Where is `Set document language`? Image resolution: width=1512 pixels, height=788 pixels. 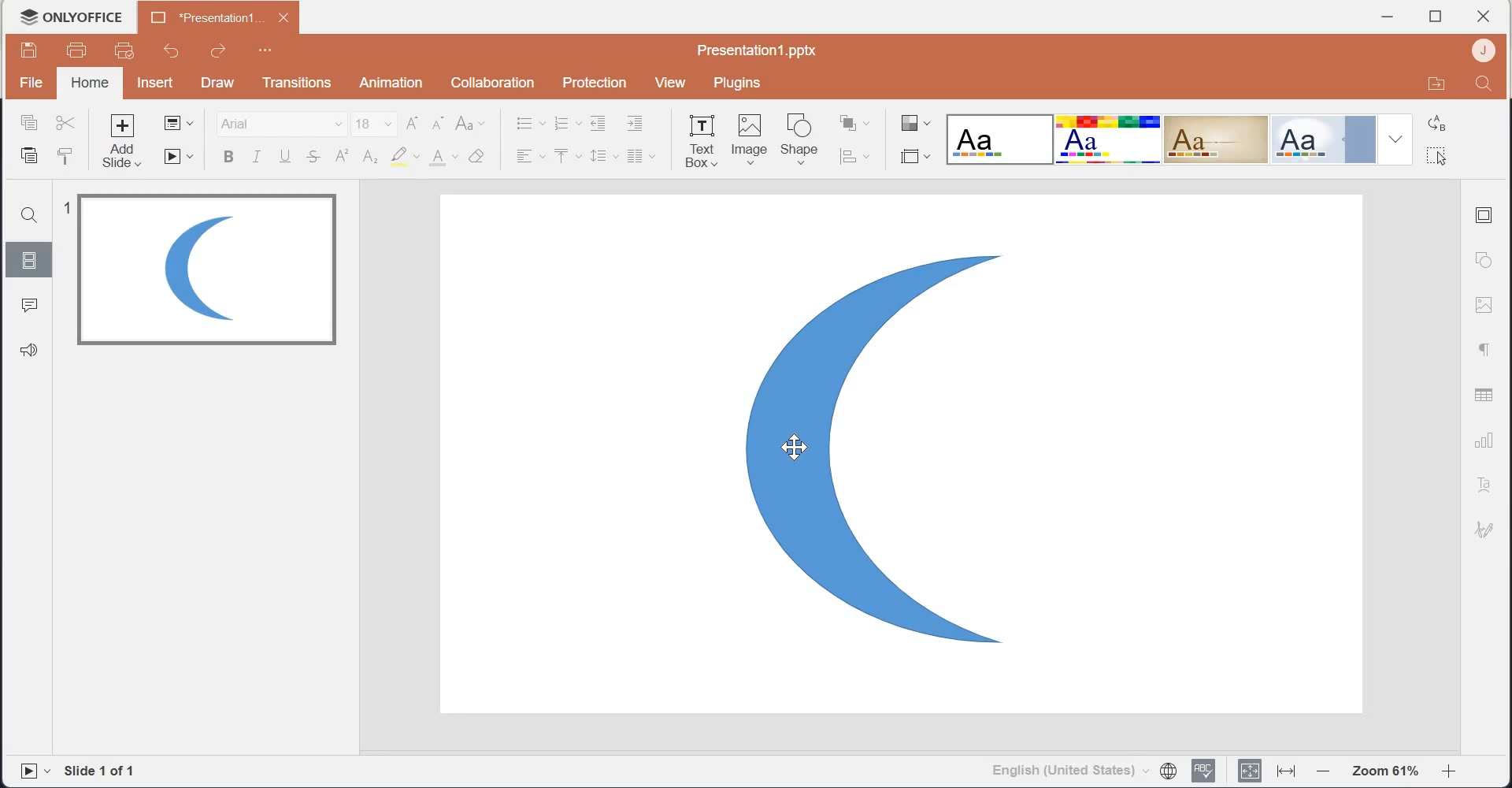 Set document language is located at coordinates (1170, 770).